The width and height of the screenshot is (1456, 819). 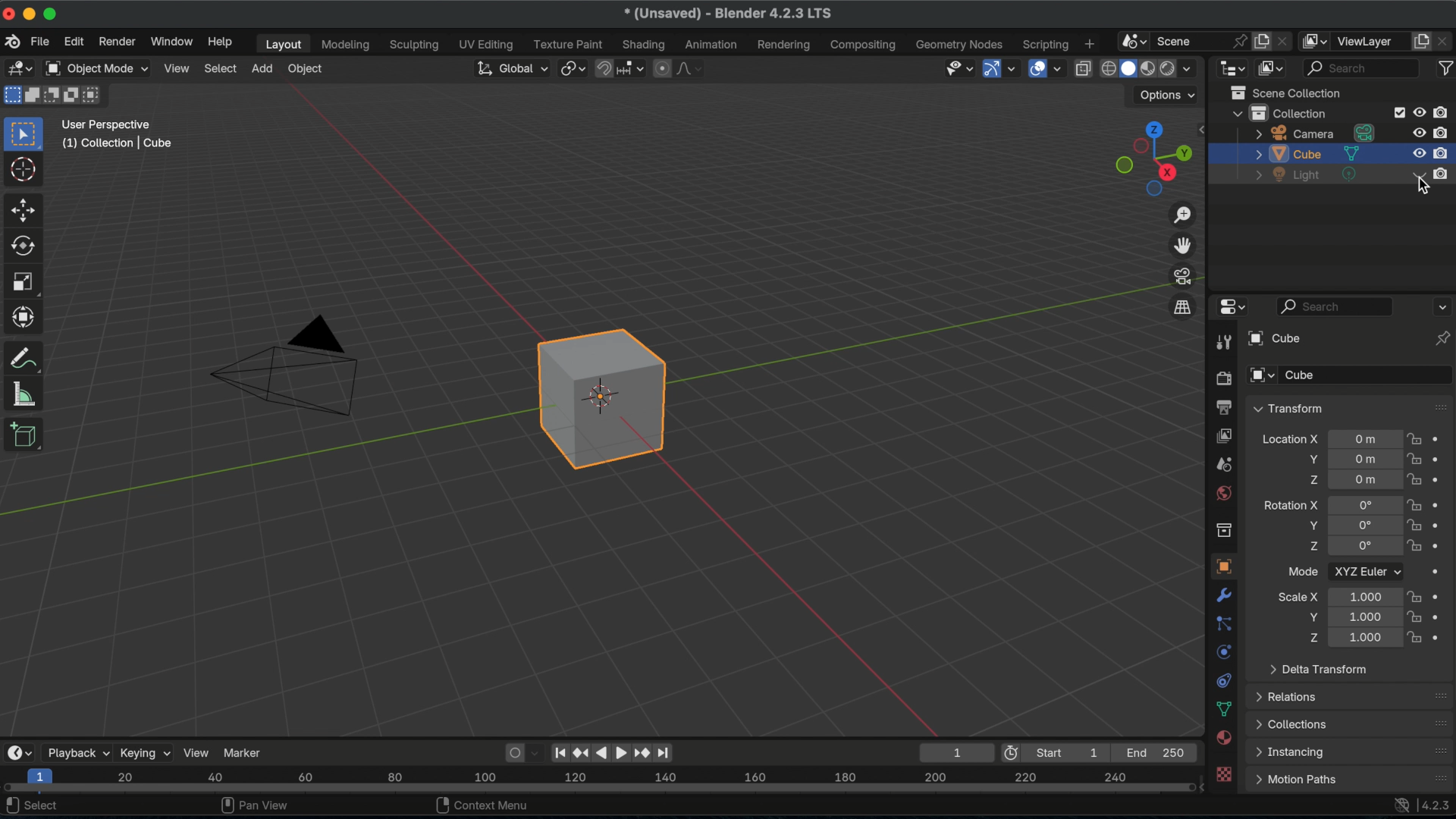 I want to click on pan view, so click(x=253, y=806).